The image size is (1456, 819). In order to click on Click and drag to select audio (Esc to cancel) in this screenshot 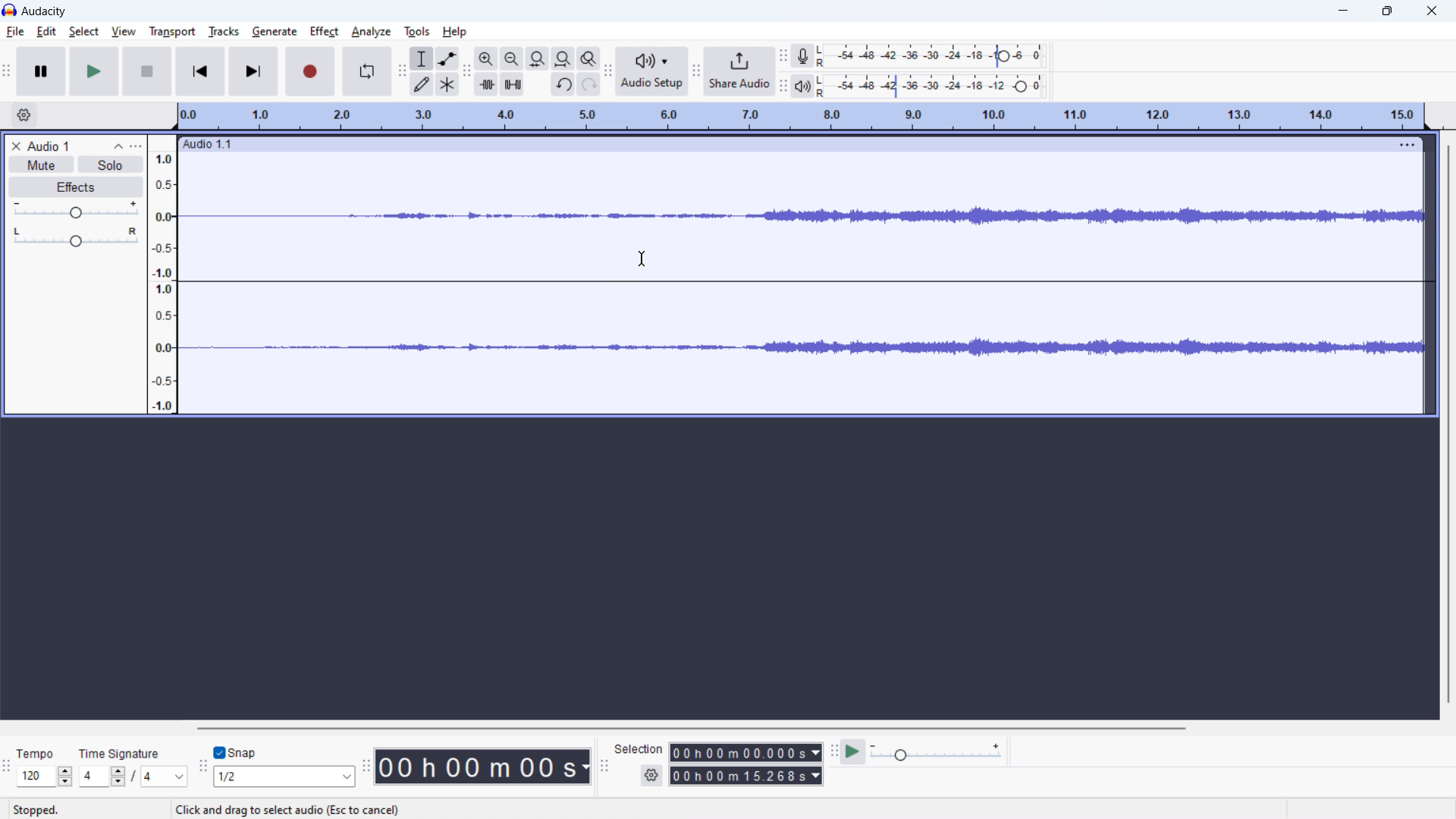, I will do `click(293, 810)`.